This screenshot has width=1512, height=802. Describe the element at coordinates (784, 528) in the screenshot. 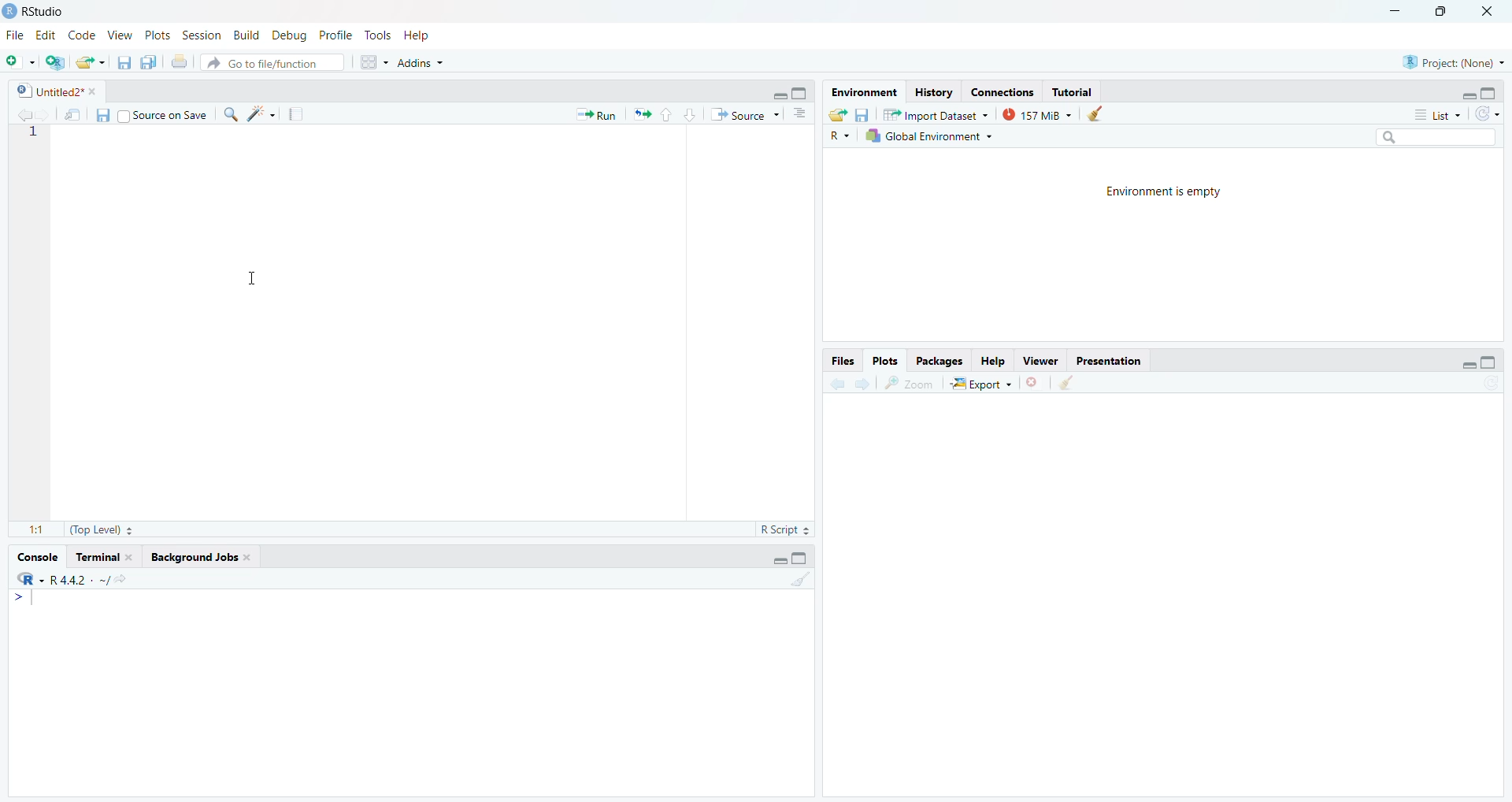

I see `RScript` at that location.